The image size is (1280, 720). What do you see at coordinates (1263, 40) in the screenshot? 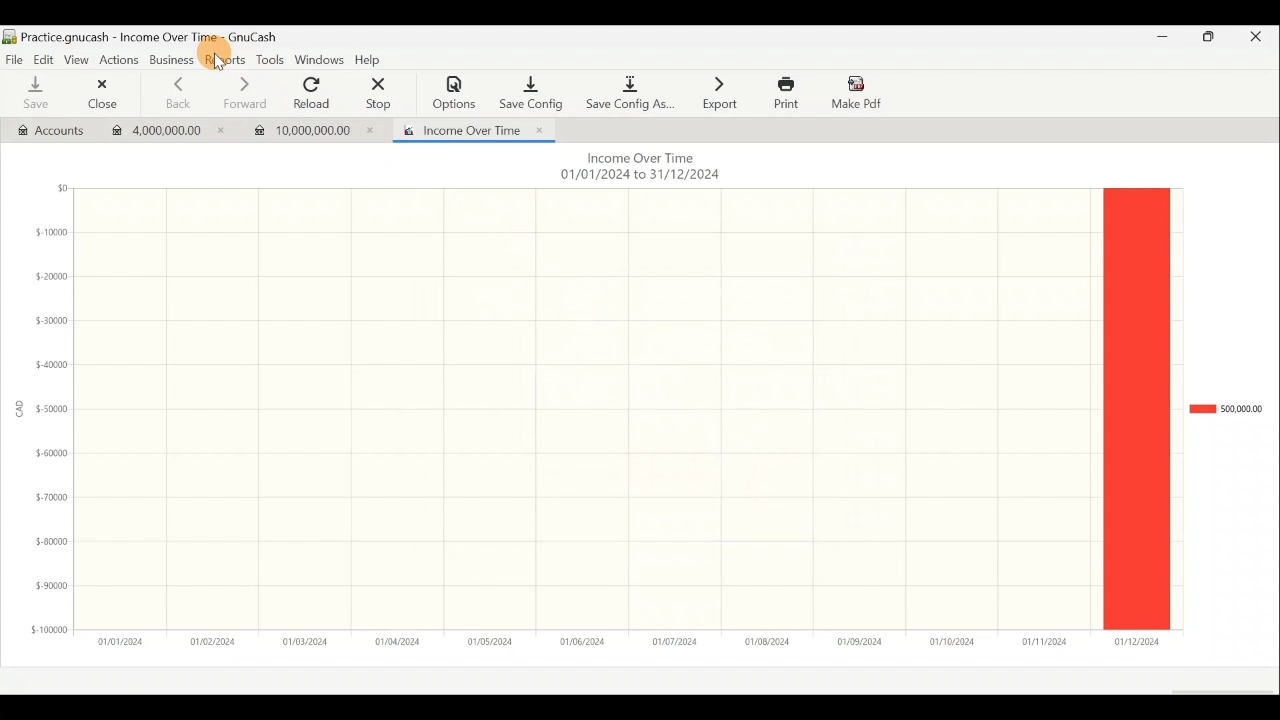
I see `Close` at bounding box center [1263, 40].